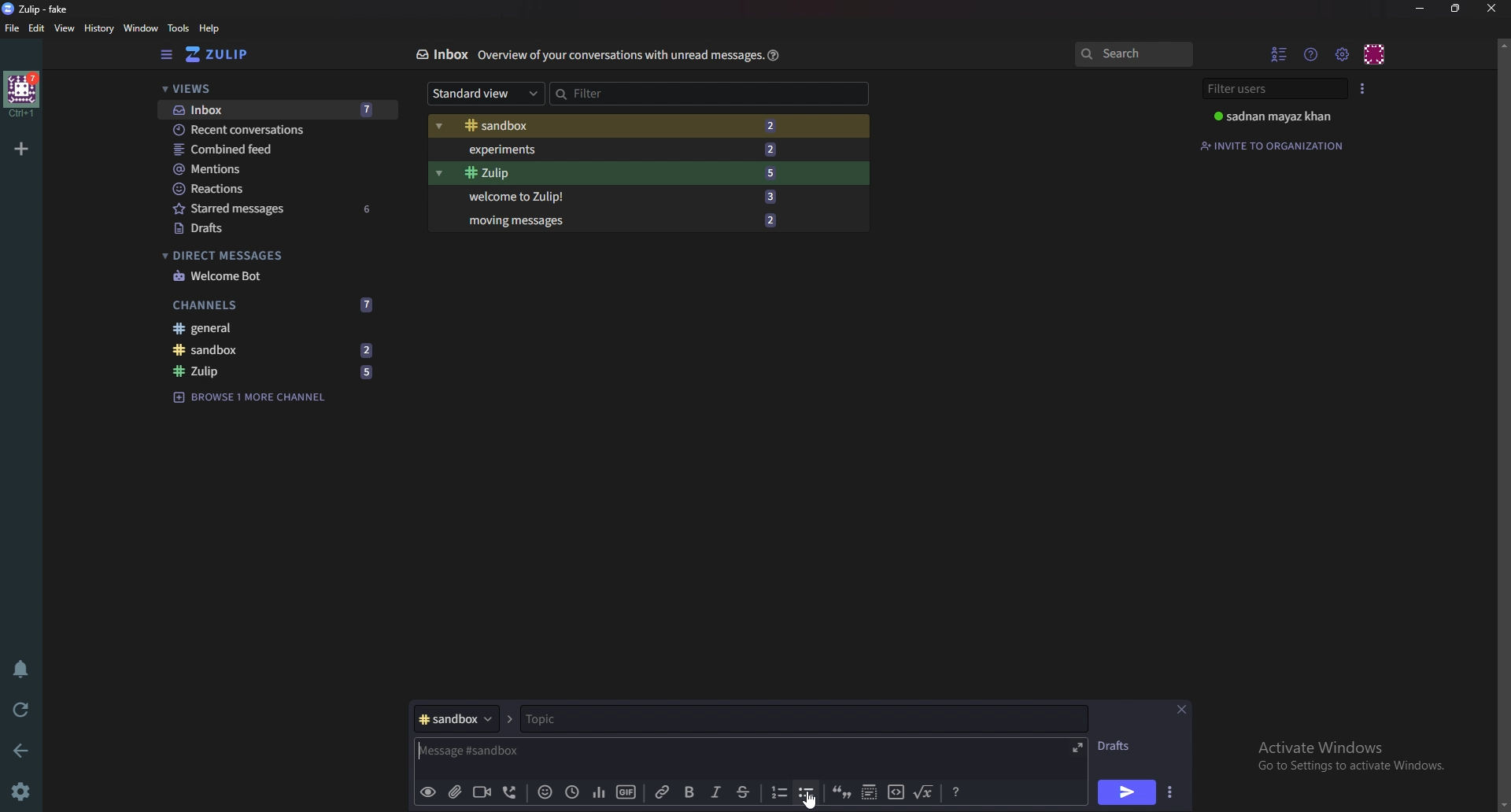  What do you see at coordinates (276, 189) in the screenshot?
I see `Reactions` at bounding box center [276, 189].